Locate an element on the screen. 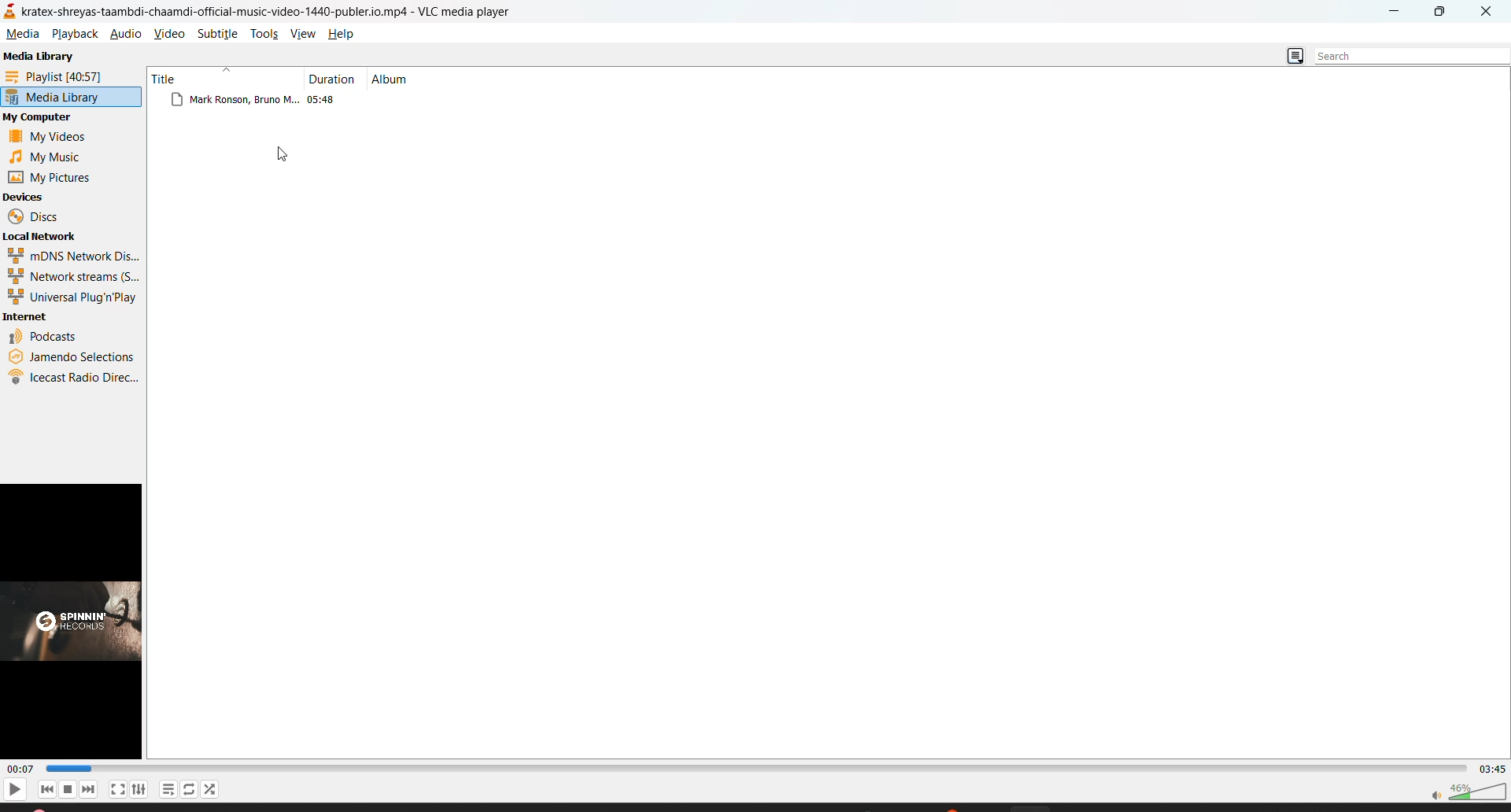 This screenshot has height=812, width=1511. podcasts is located at coordinates (46, 338).